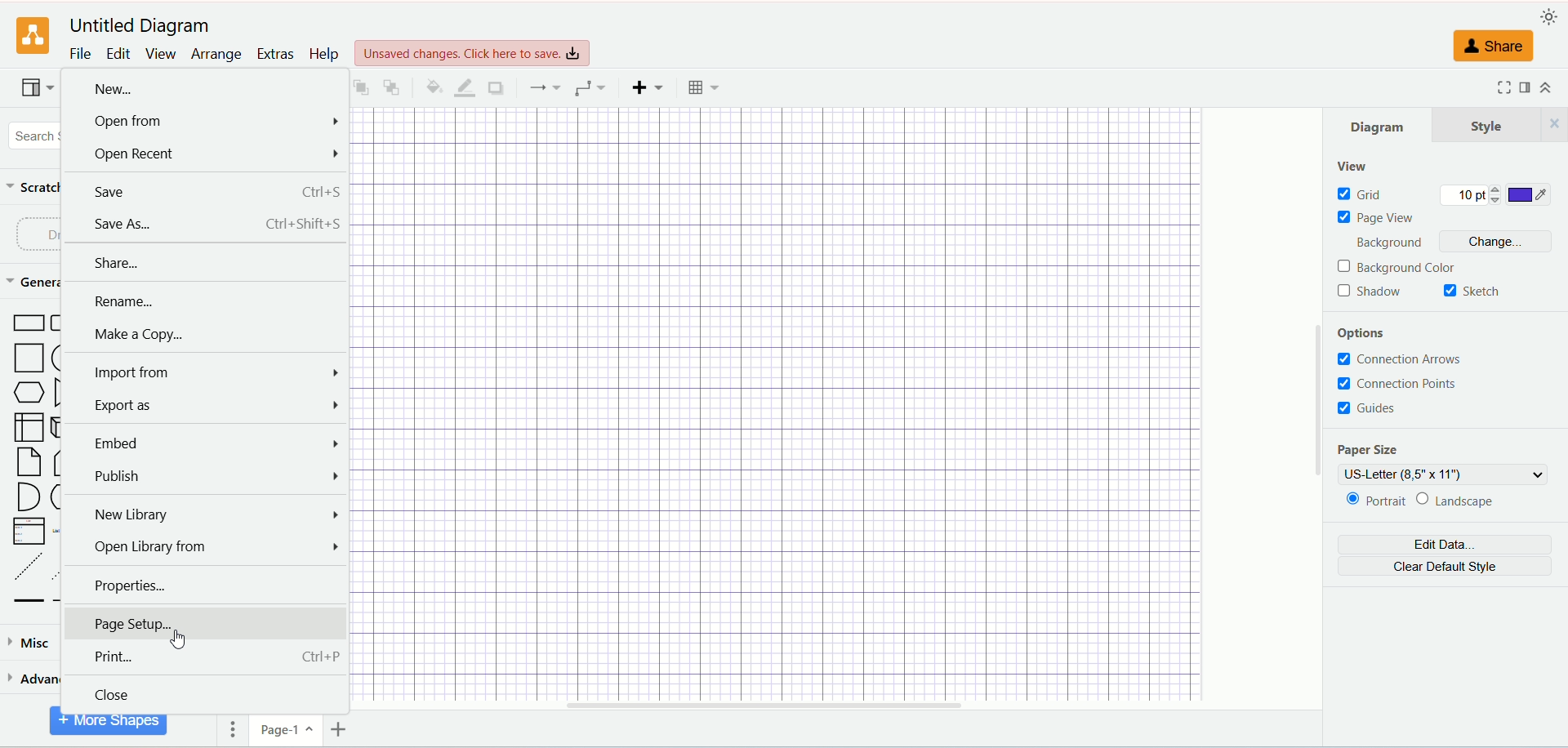  What do you see at coordinates (79, 54) in the screenshot?
I see `file` at bounding box center [79, 54].